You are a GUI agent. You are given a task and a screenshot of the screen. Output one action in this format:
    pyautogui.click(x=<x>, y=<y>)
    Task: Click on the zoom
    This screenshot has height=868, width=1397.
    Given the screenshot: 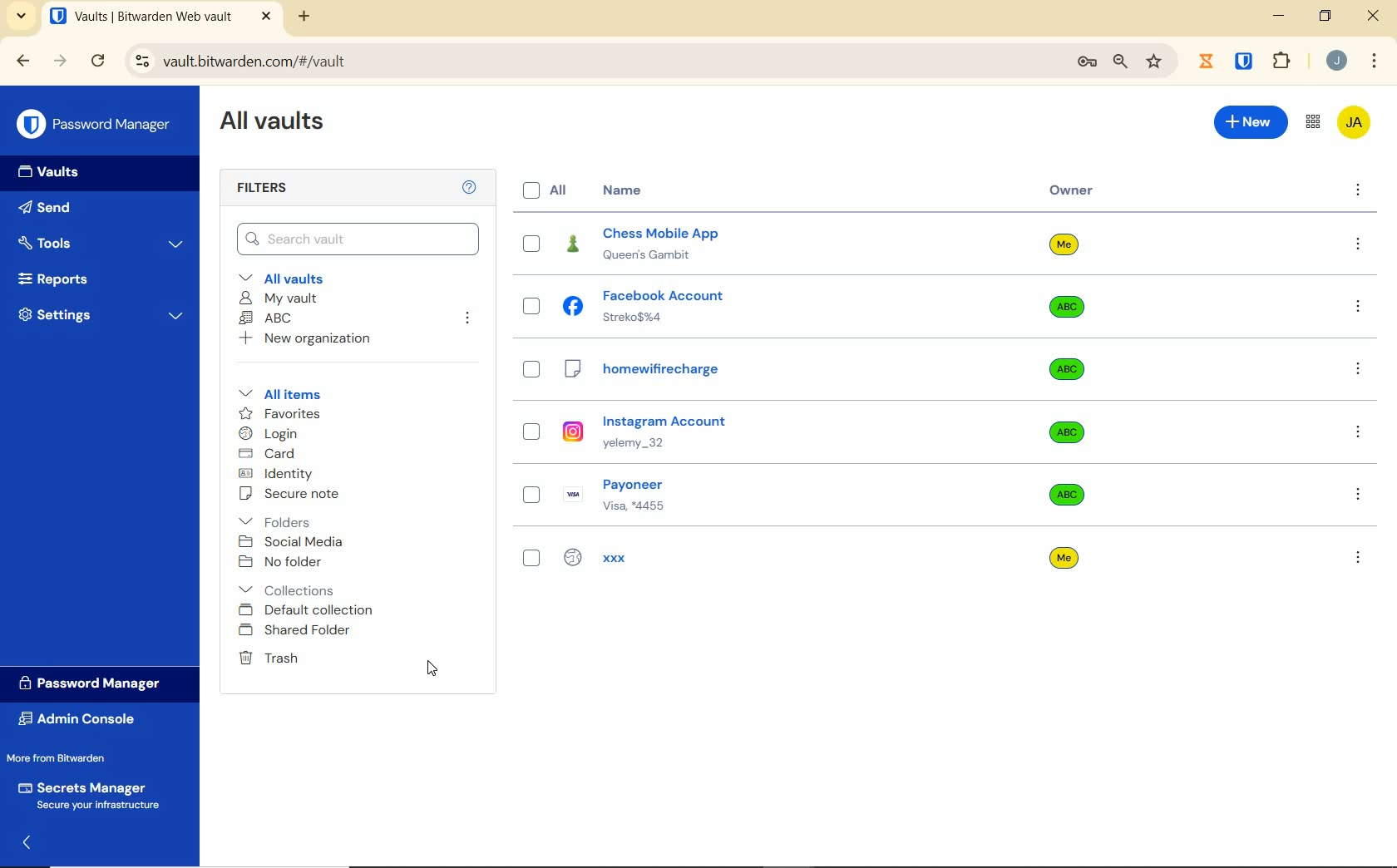 What is the action you would take?
    pyautogui.click(x=1121, y=62)
    